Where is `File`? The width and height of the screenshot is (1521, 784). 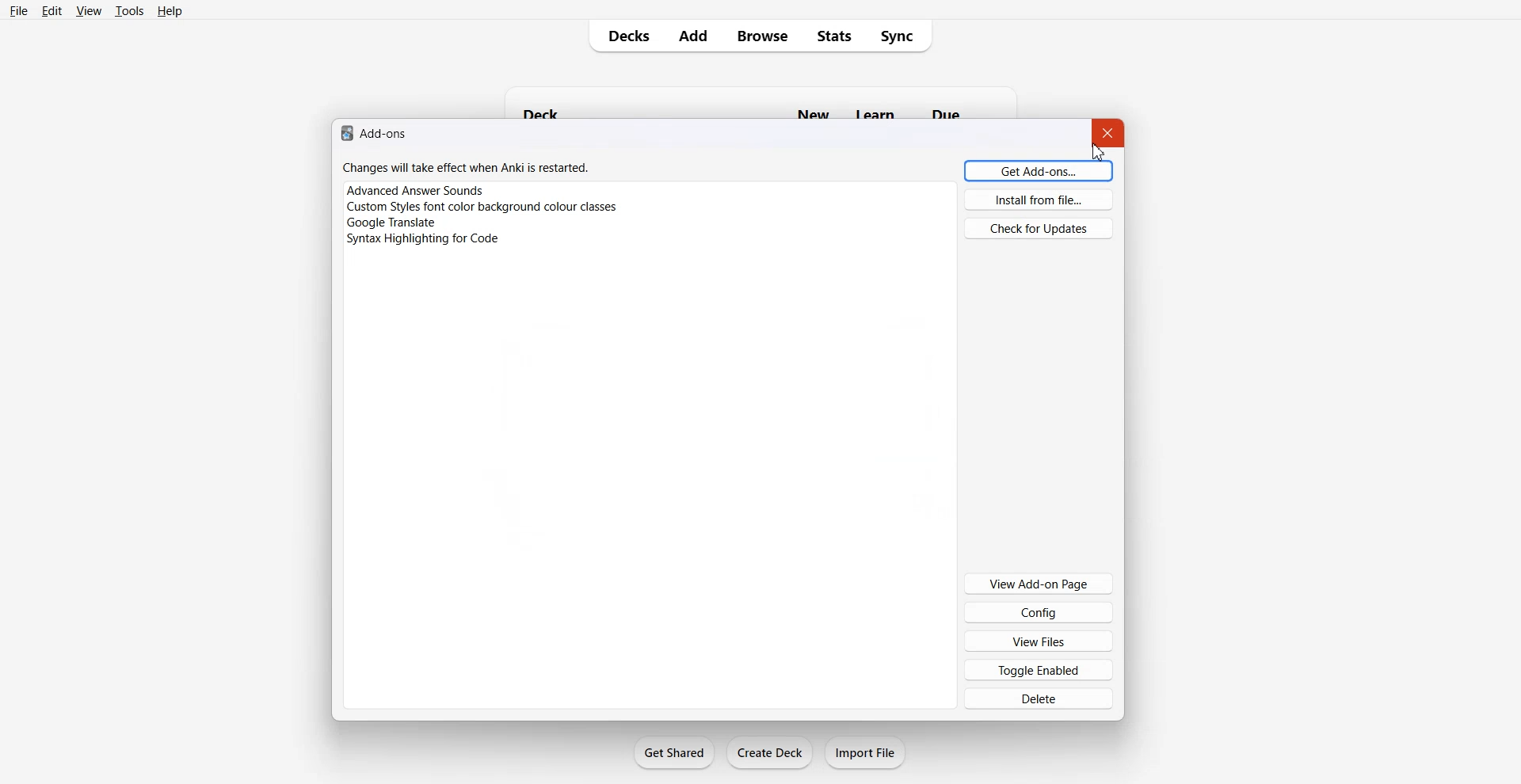 File is located at coordinates (20, 10).